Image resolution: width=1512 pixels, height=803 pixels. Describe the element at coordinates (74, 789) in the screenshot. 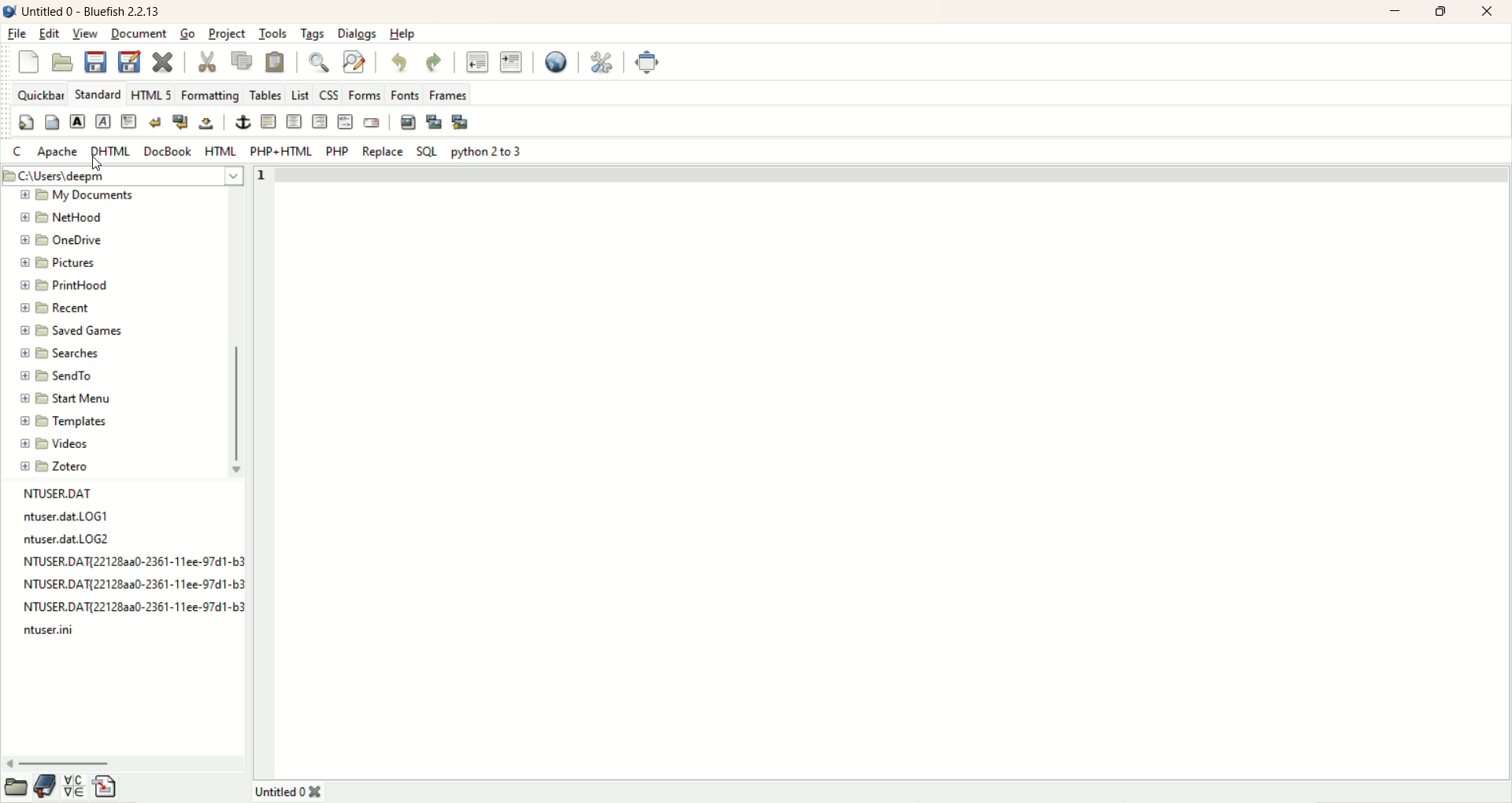

I see `insert special character` at that location.